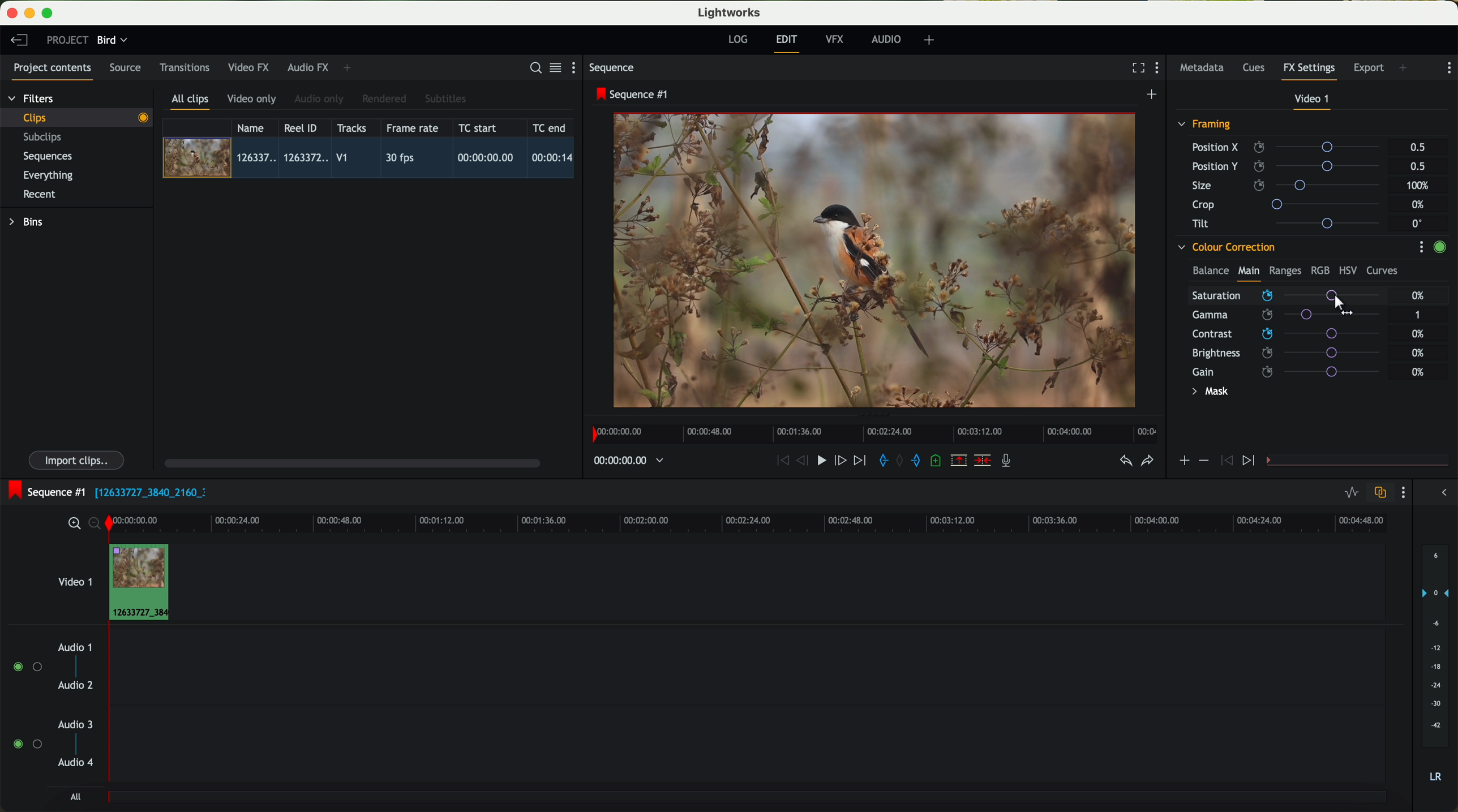 This screenshot has width=1458, height=812. I want to click on audio 1, so click(75, 647).